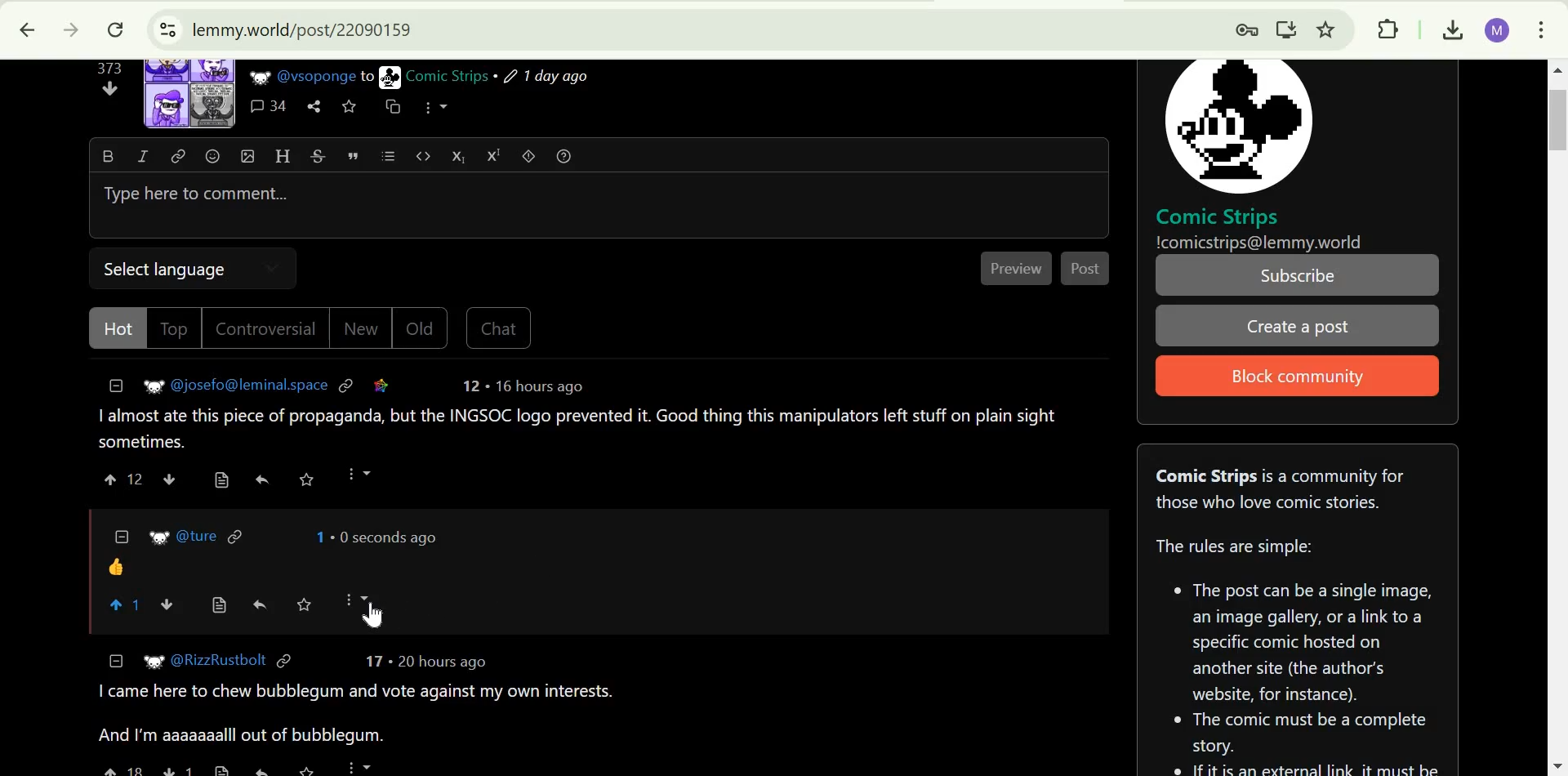 The image size is (1568, 776). Describe the element at coordinates (247, 155) in the screenshot. I see `upload image` at that location.